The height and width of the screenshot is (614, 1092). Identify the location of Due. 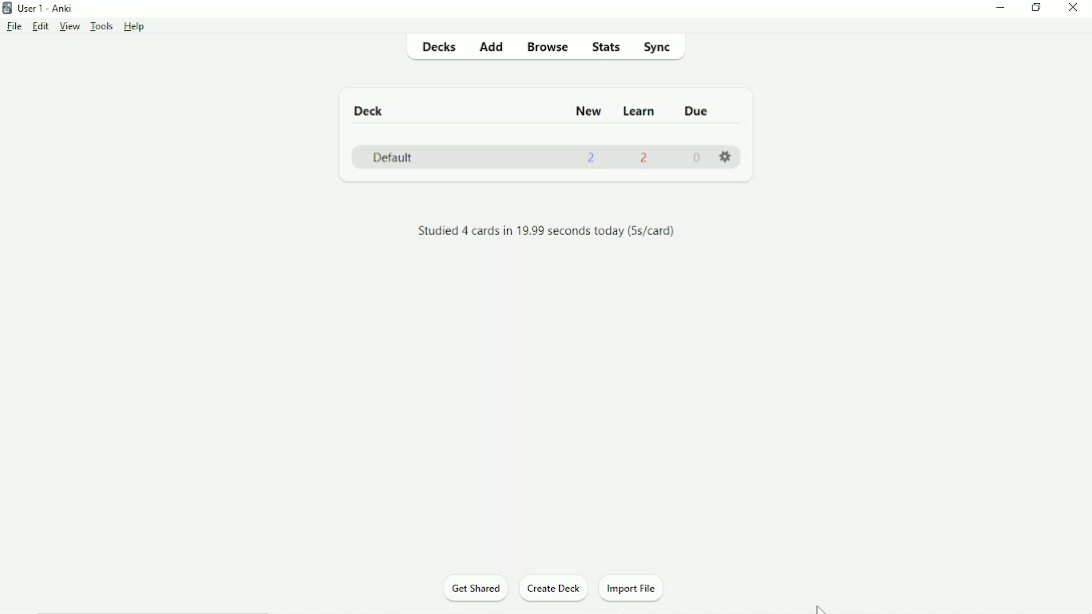
(699, 111).